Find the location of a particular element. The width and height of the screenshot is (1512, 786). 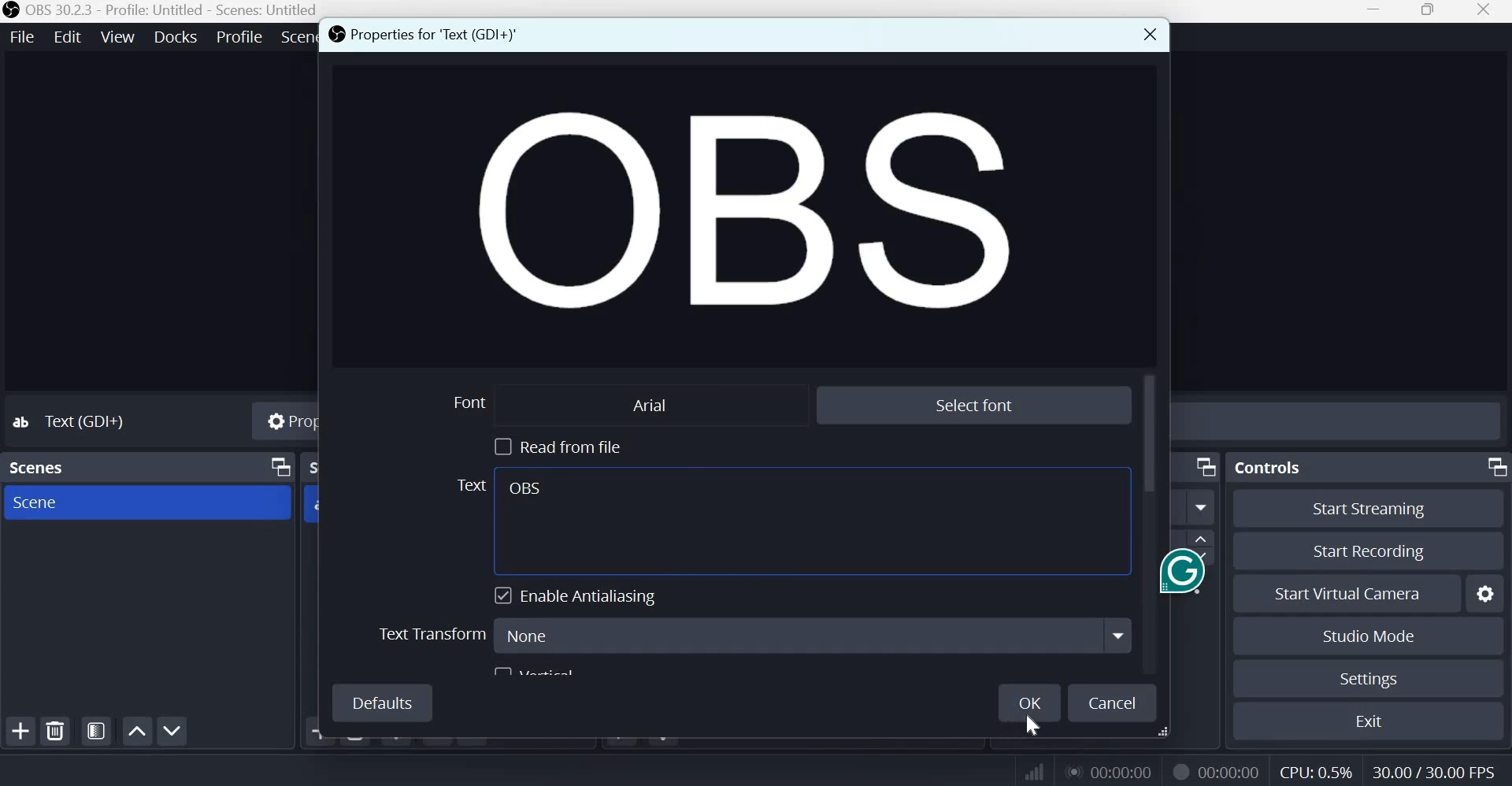

vertical scroll bar is located at coordinates (1154, 431).